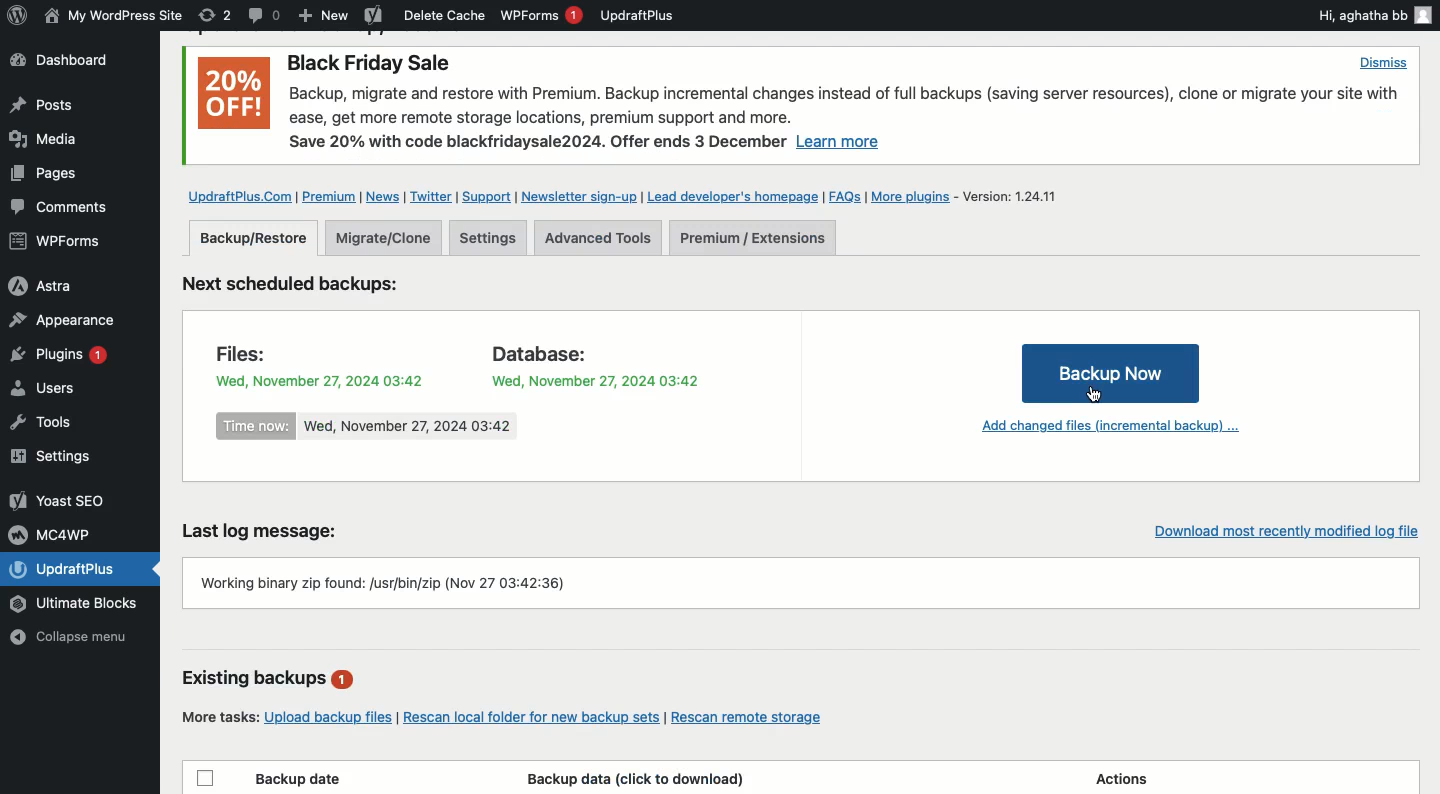 This screenshot has height=794, width=1440. Describe the element at coordinates (78, 604) in the screenshot. I see `Ultimate Blocks` at that location.